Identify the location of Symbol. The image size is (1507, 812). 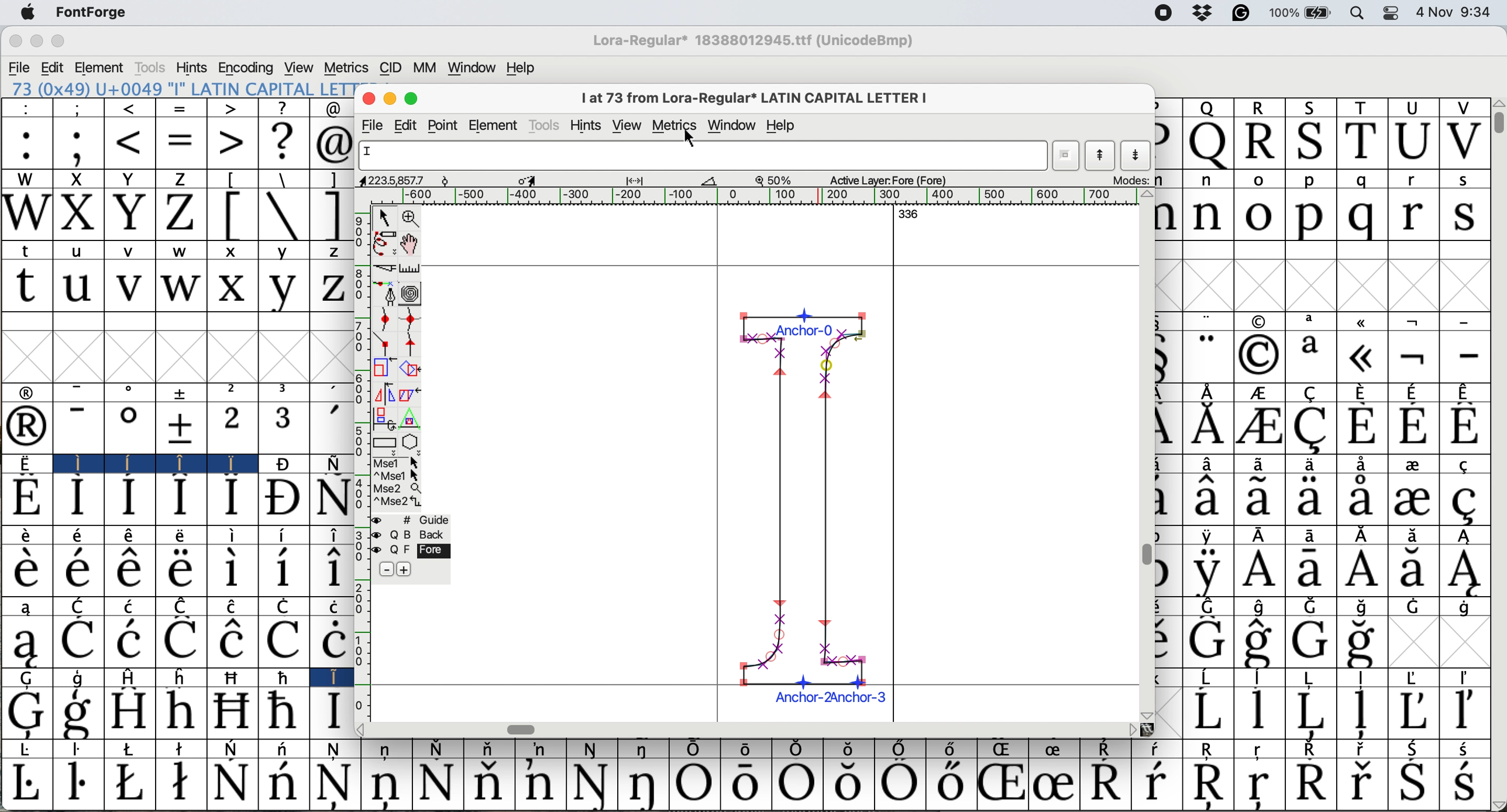
(1466, 570).